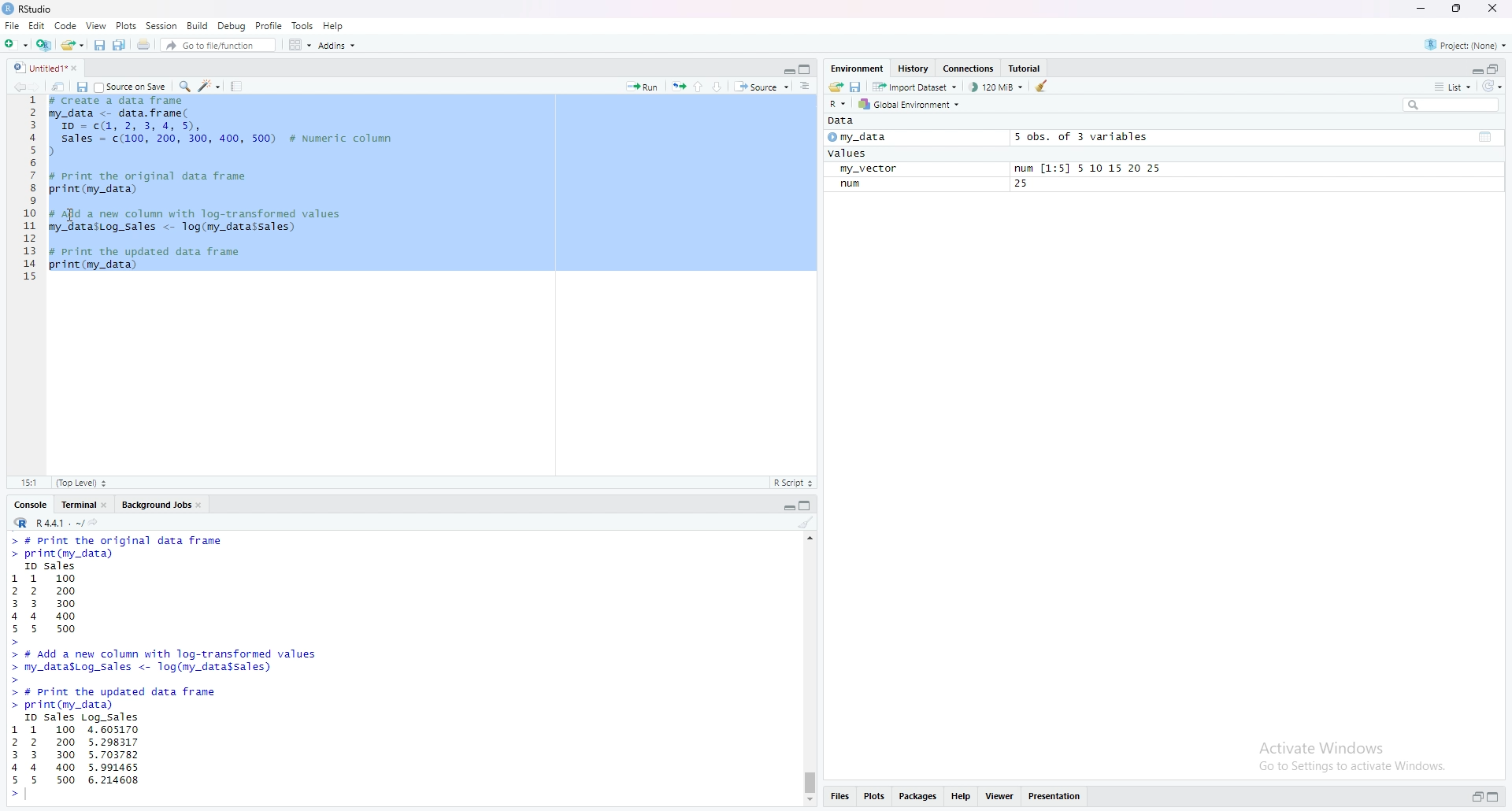 The width and height of the screenshot is (1512, 811). What do you see at coordinates (61, 88) in the screenshot?
I see `show in new window` at bounding box center [61, 88].